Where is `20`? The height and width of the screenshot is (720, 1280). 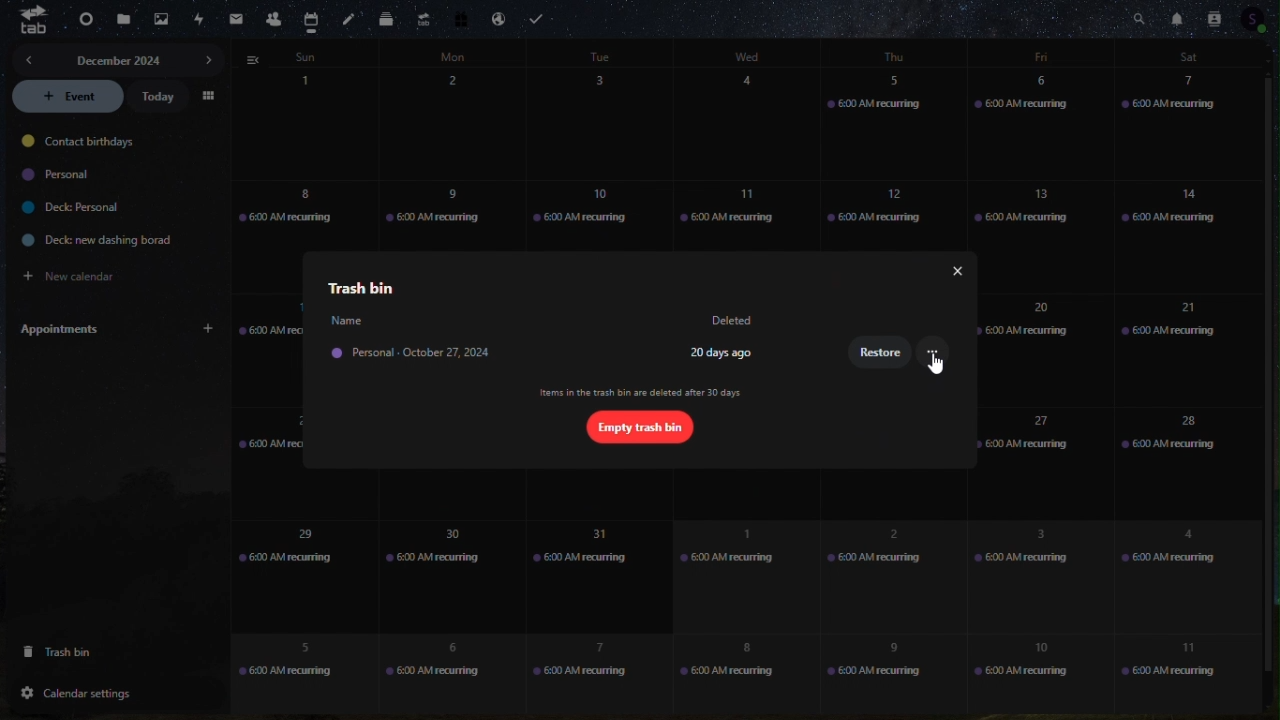 20 is located at coordinates (1027, 348).